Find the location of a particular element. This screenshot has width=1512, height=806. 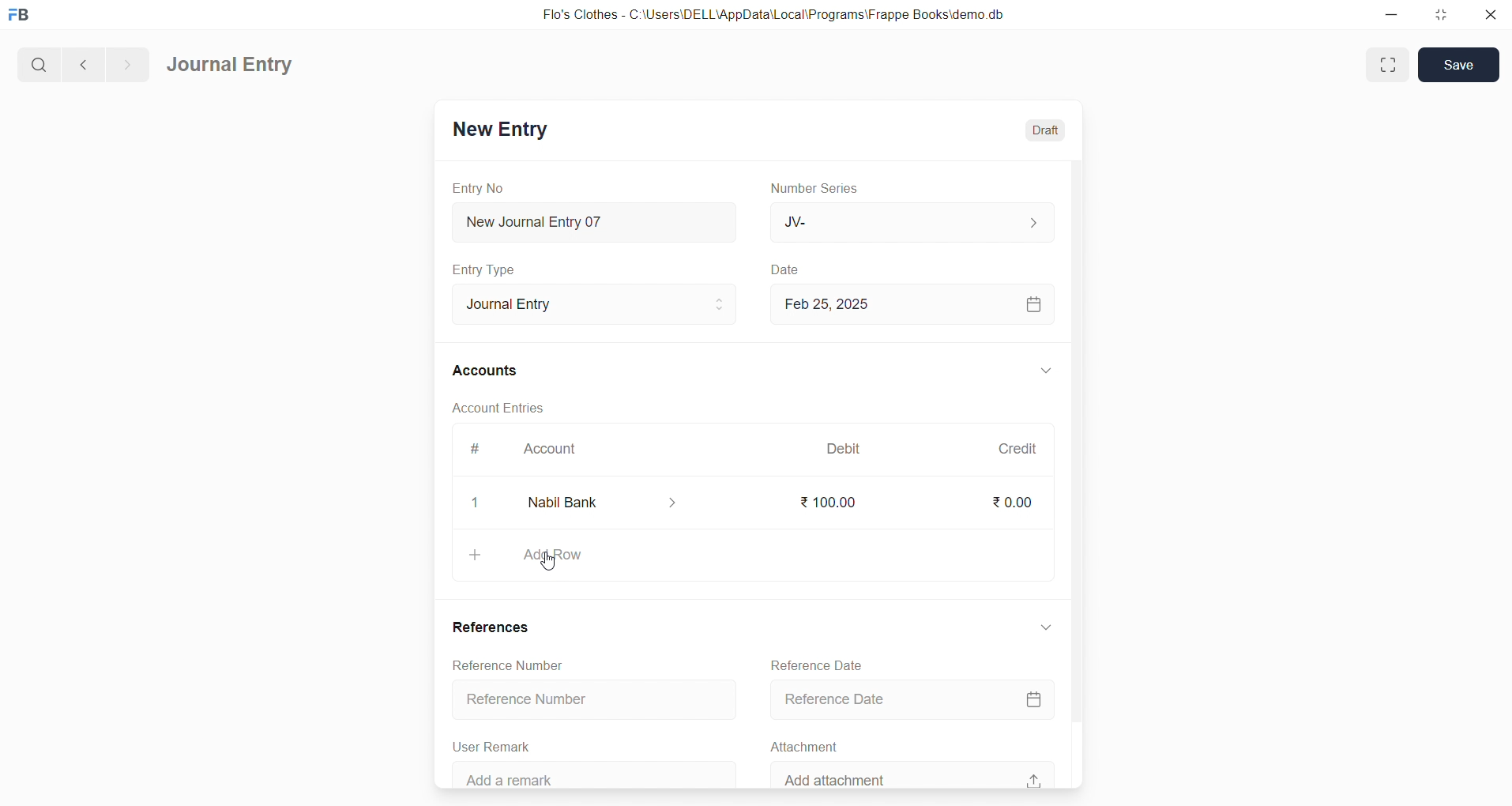

vertical scroll bar is located at coordinates (1076, 472).